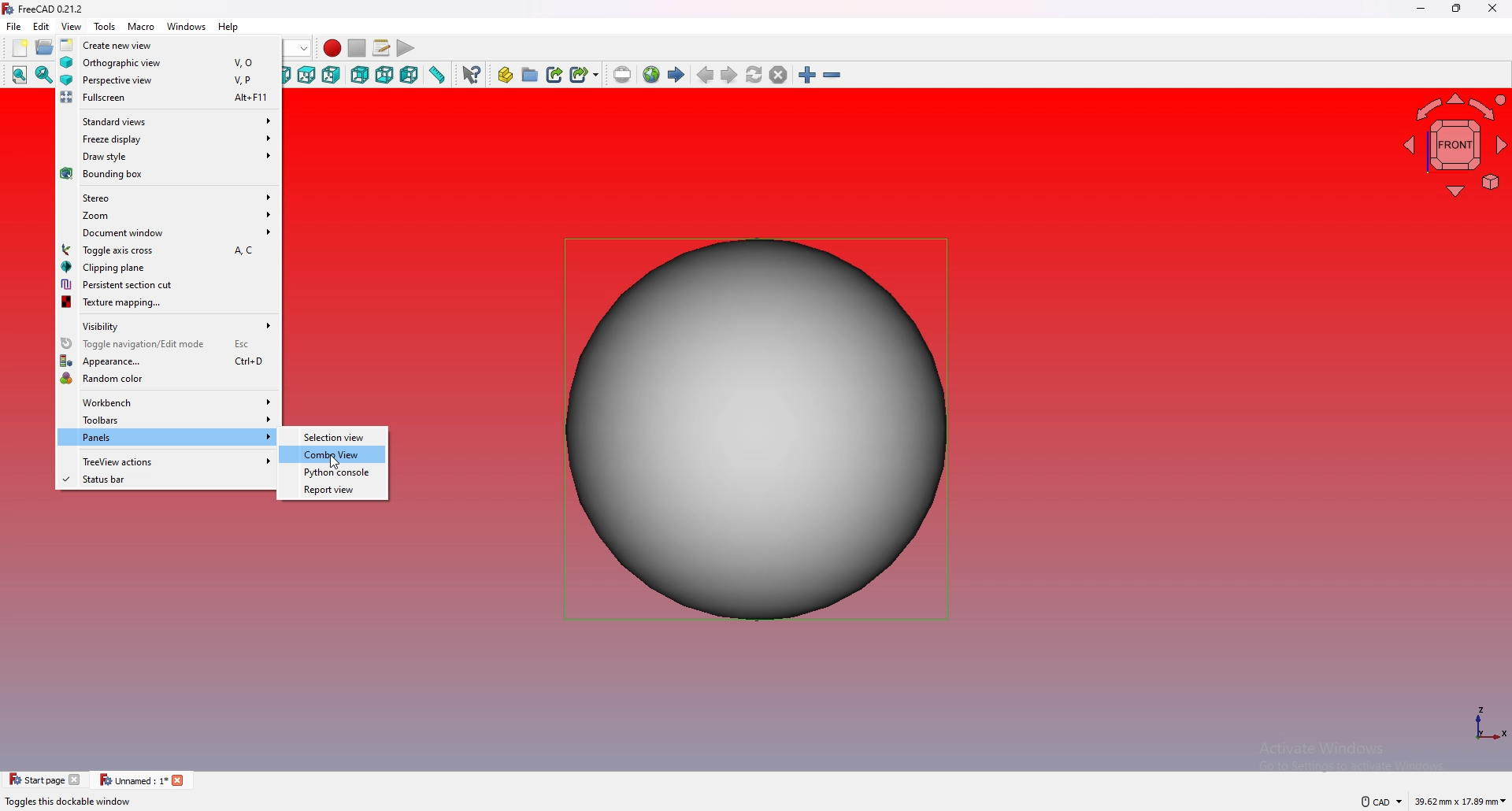 Image resolution: width=1512 pixels, height=811 pixels. I want to click on toolbars, so click(169, 420).